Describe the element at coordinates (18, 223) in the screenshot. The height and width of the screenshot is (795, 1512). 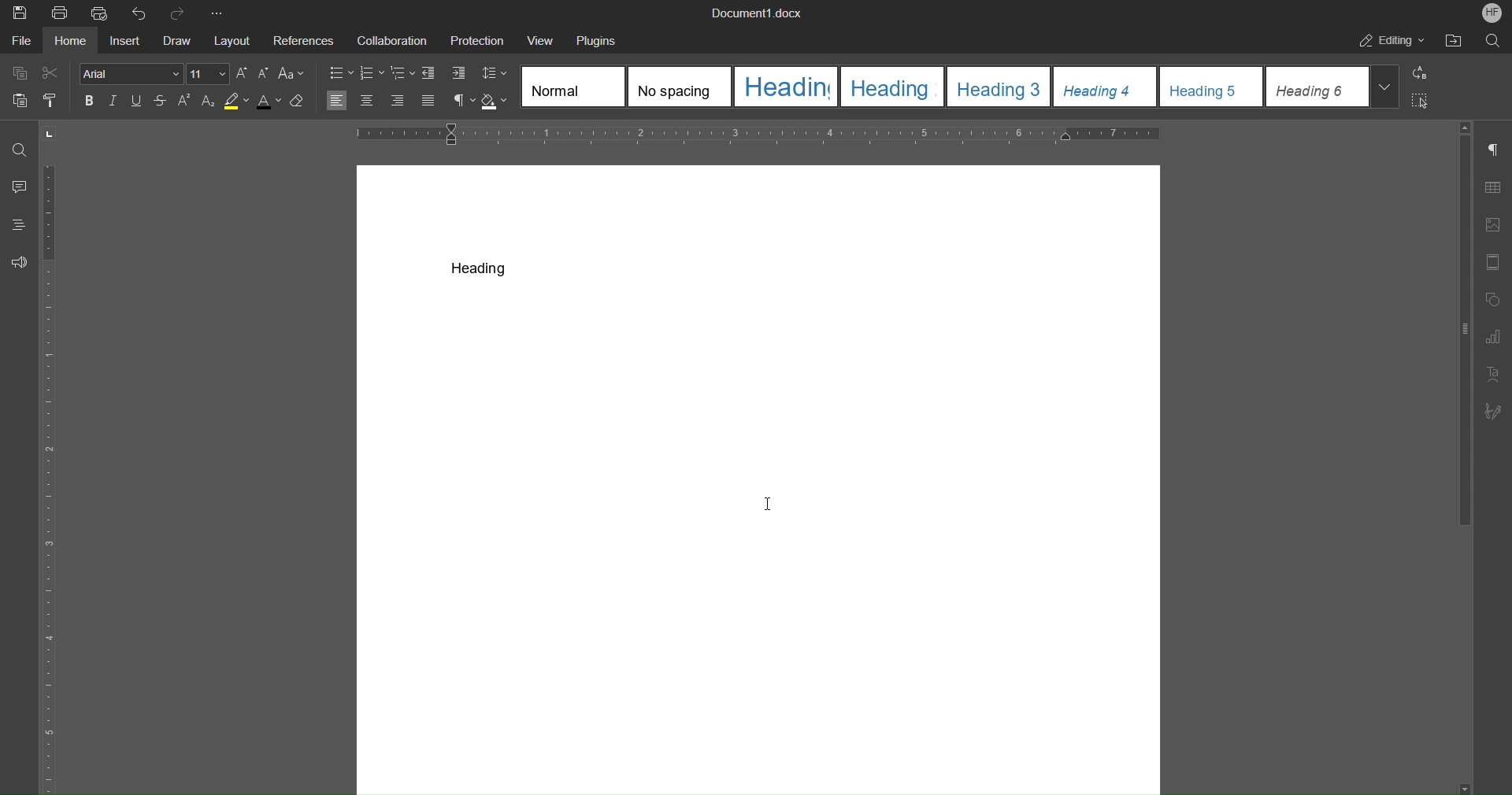
I see `Headings` at that location.